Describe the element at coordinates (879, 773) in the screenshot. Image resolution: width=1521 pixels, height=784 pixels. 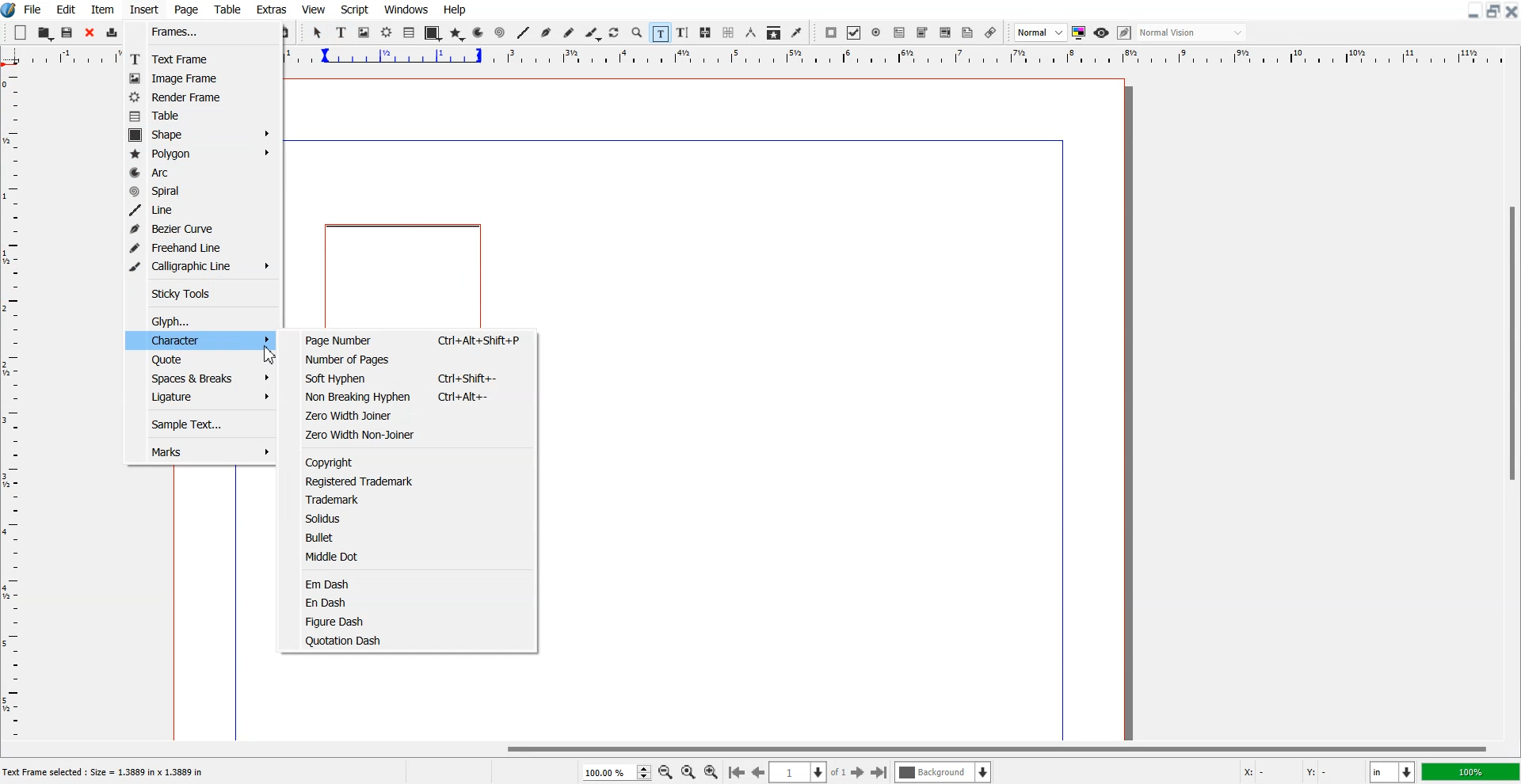
I see `Go to Last Page` at that location.